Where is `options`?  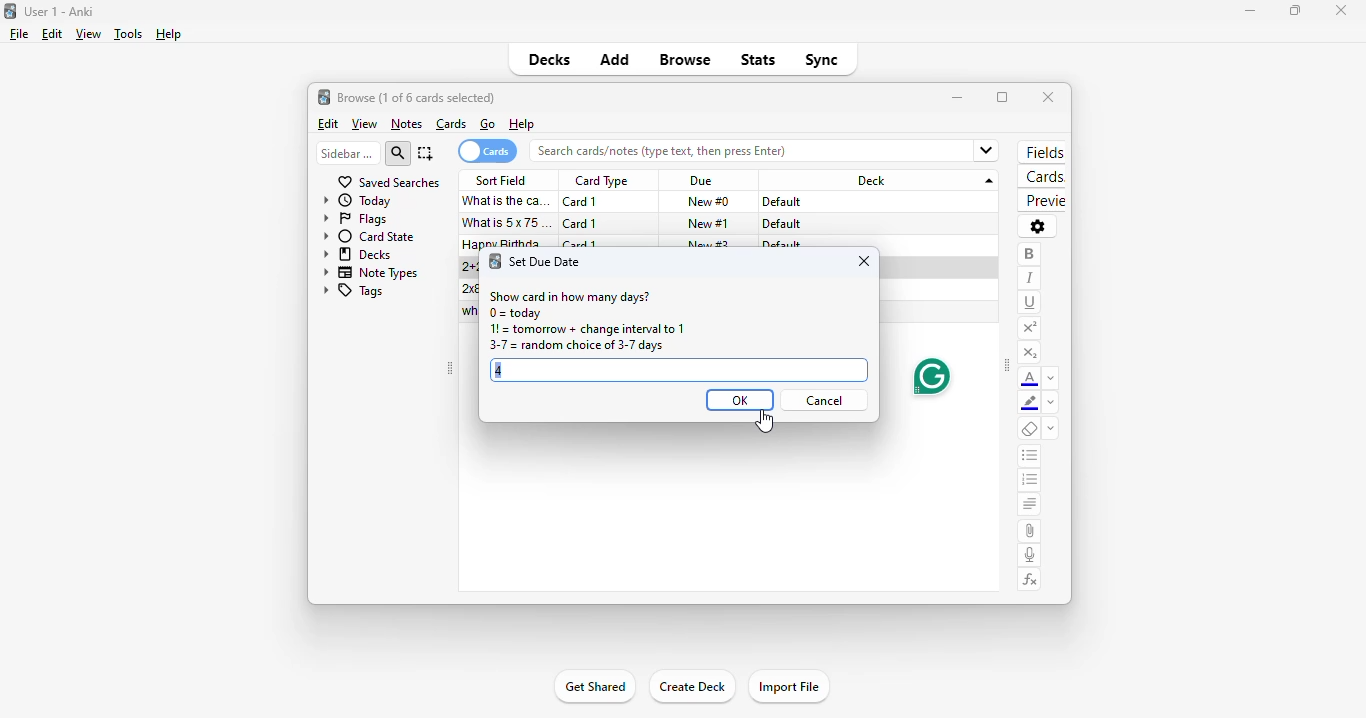
options is located at coordinates (1037, 226).